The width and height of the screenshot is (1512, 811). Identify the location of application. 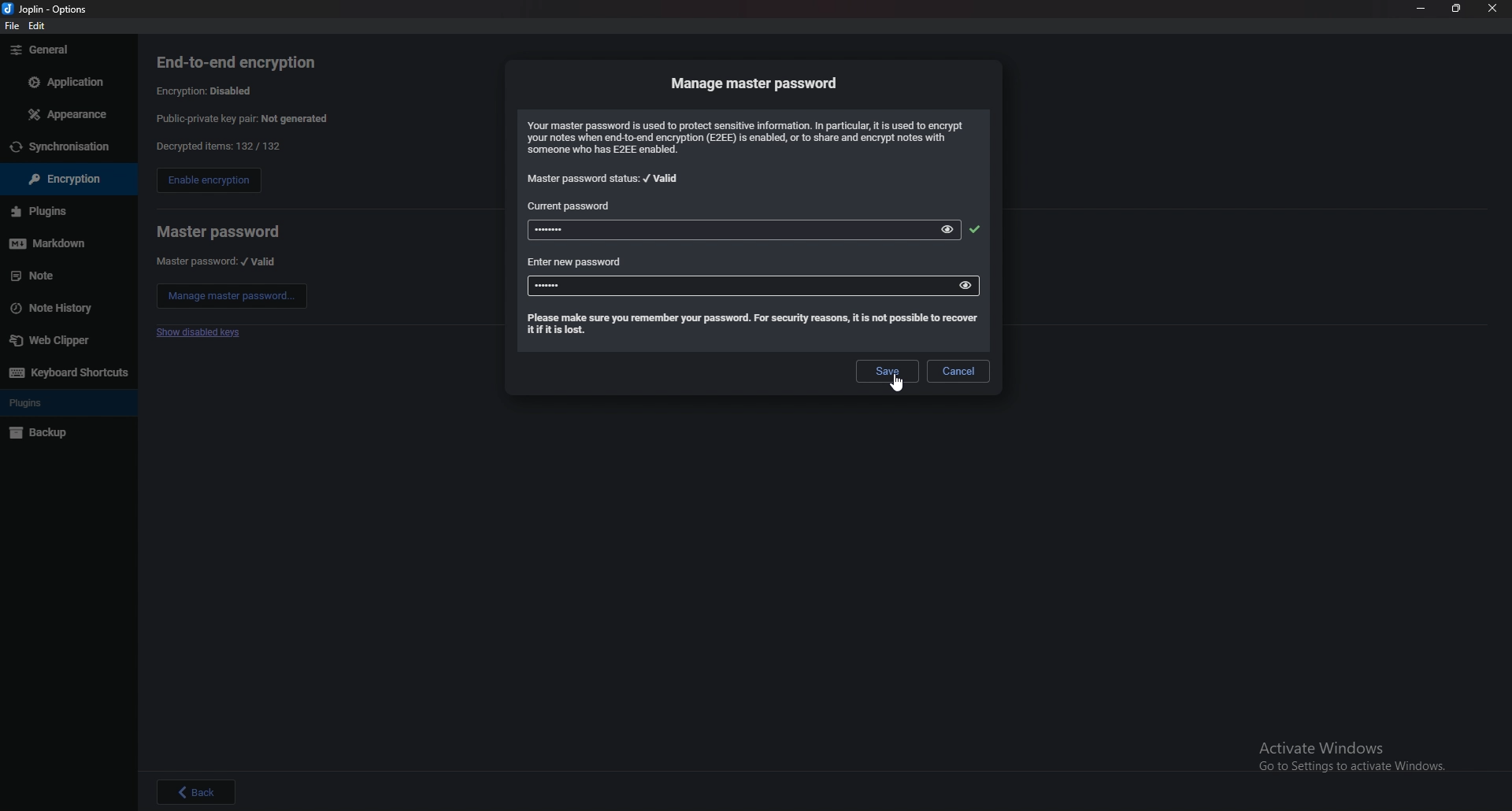
(64, 80).